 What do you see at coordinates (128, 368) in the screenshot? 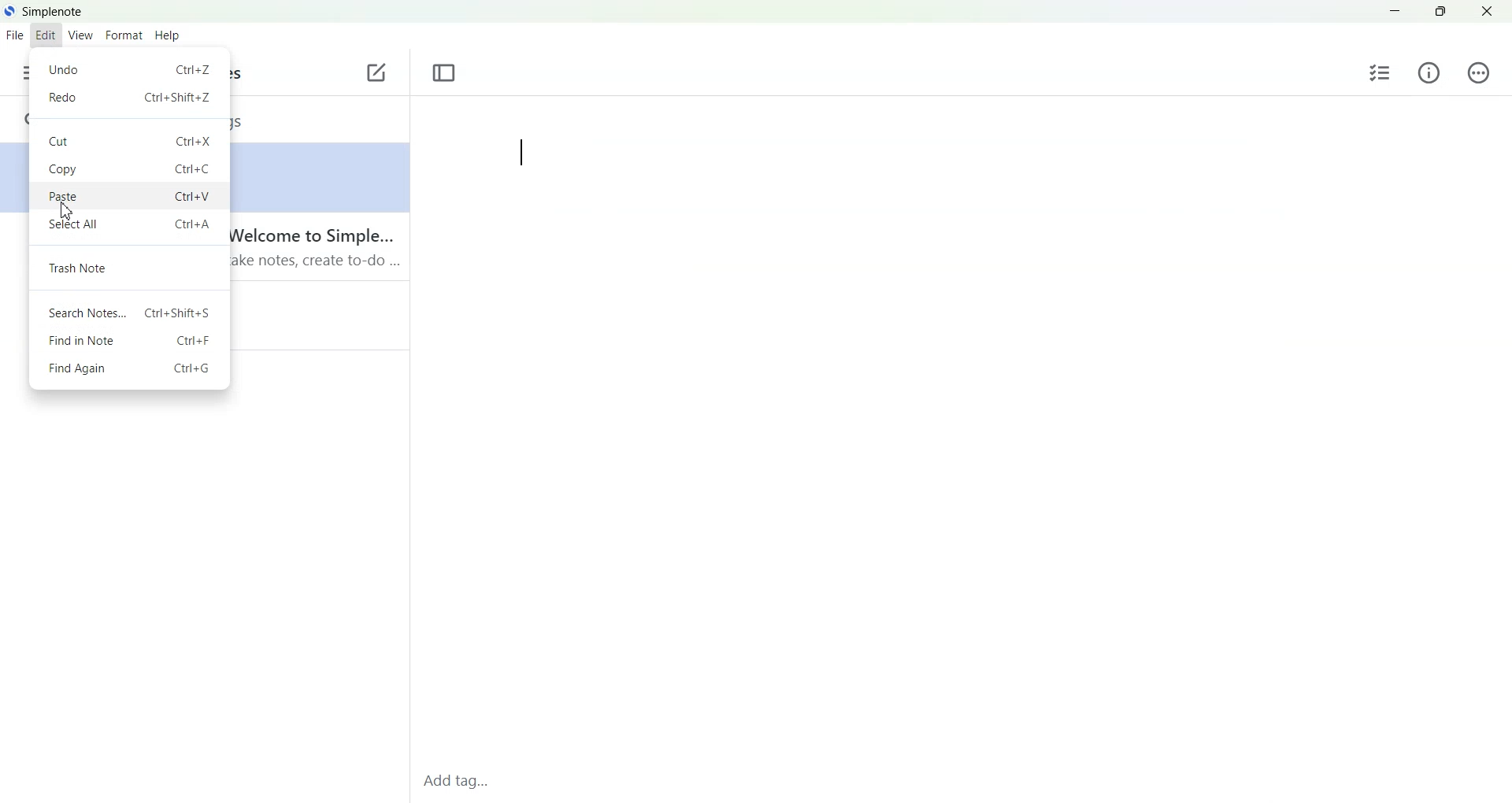
I see `Find Again Ctrl + O` at bounding box center [128, 368].